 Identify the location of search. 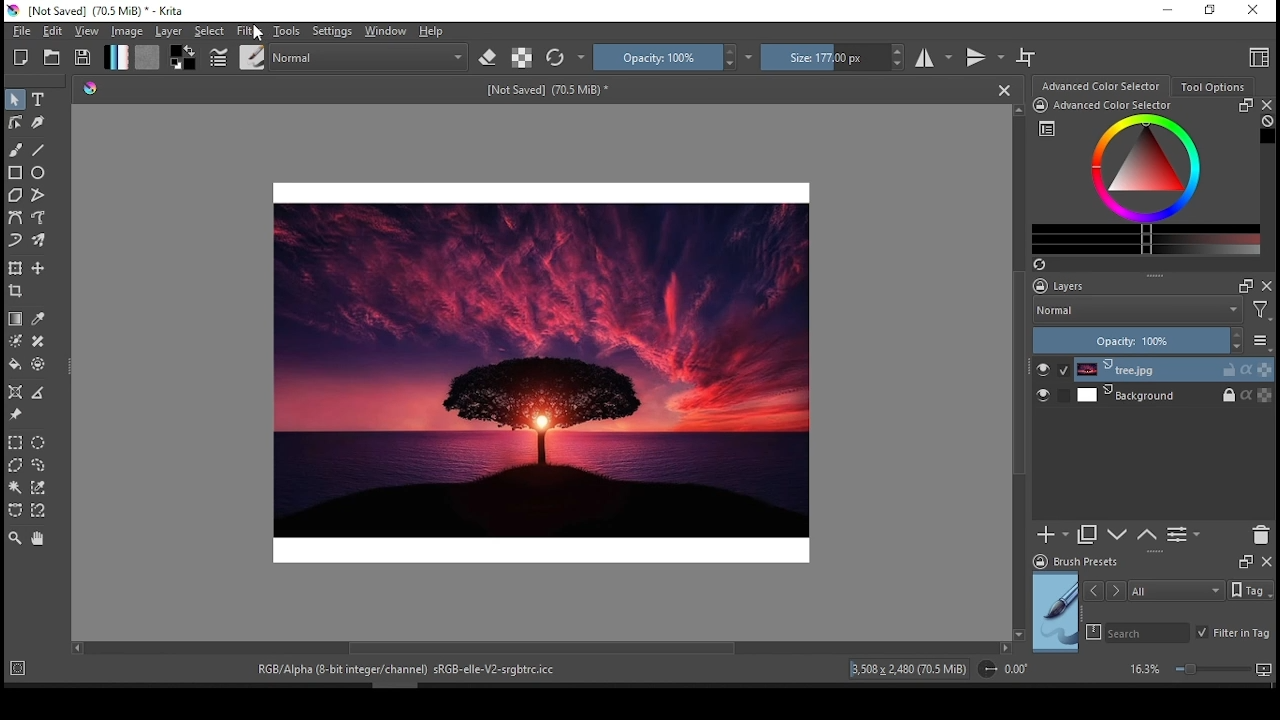
(1090, 632).